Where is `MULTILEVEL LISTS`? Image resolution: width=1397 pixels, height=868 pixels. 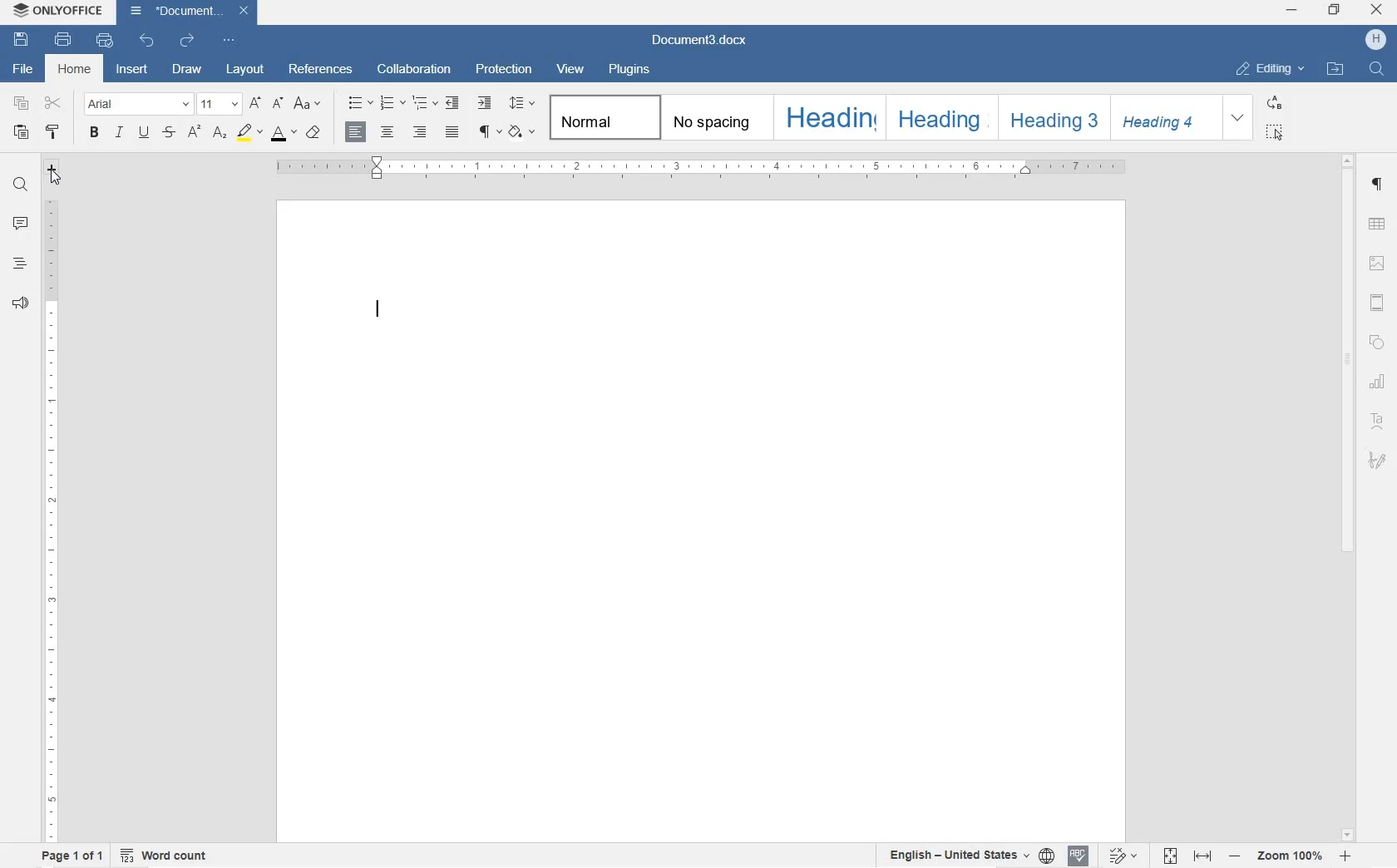
MULTILEVEL LISTS is located at coordinates (423, 104).